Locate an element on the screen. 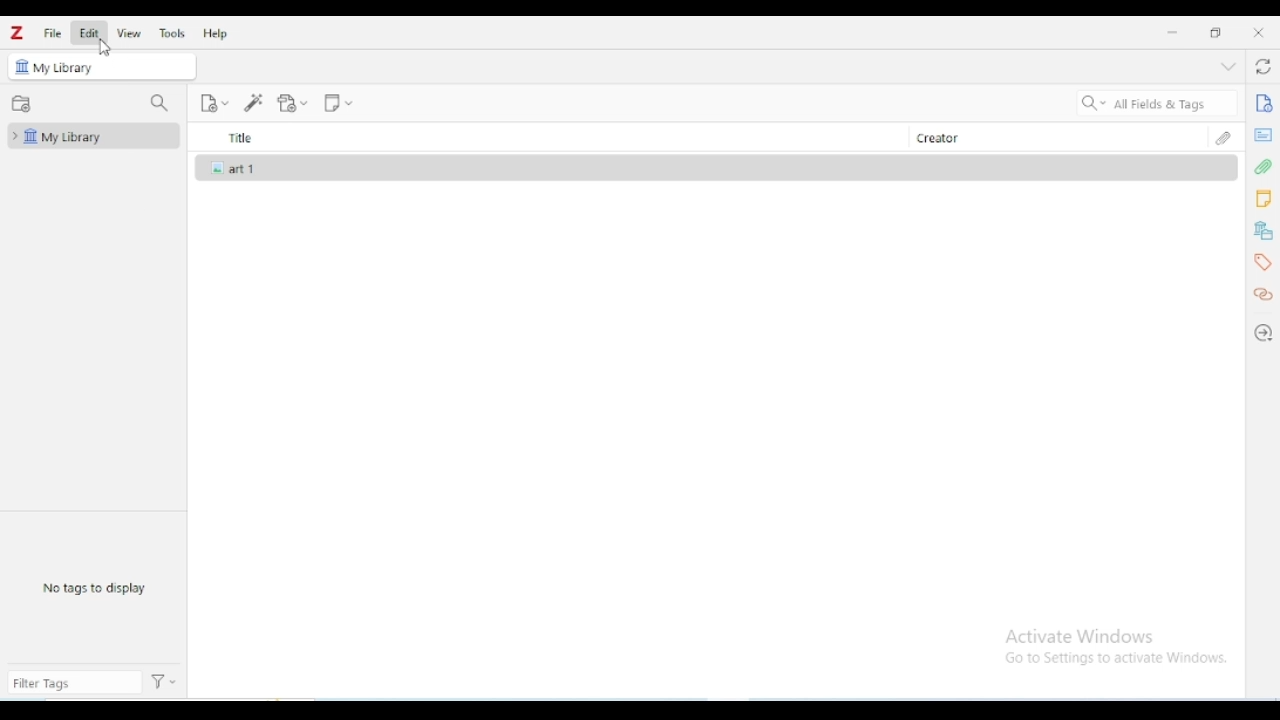 The height and width of the screenshot is (720, 1280). view is located at coordinates (130, 33).